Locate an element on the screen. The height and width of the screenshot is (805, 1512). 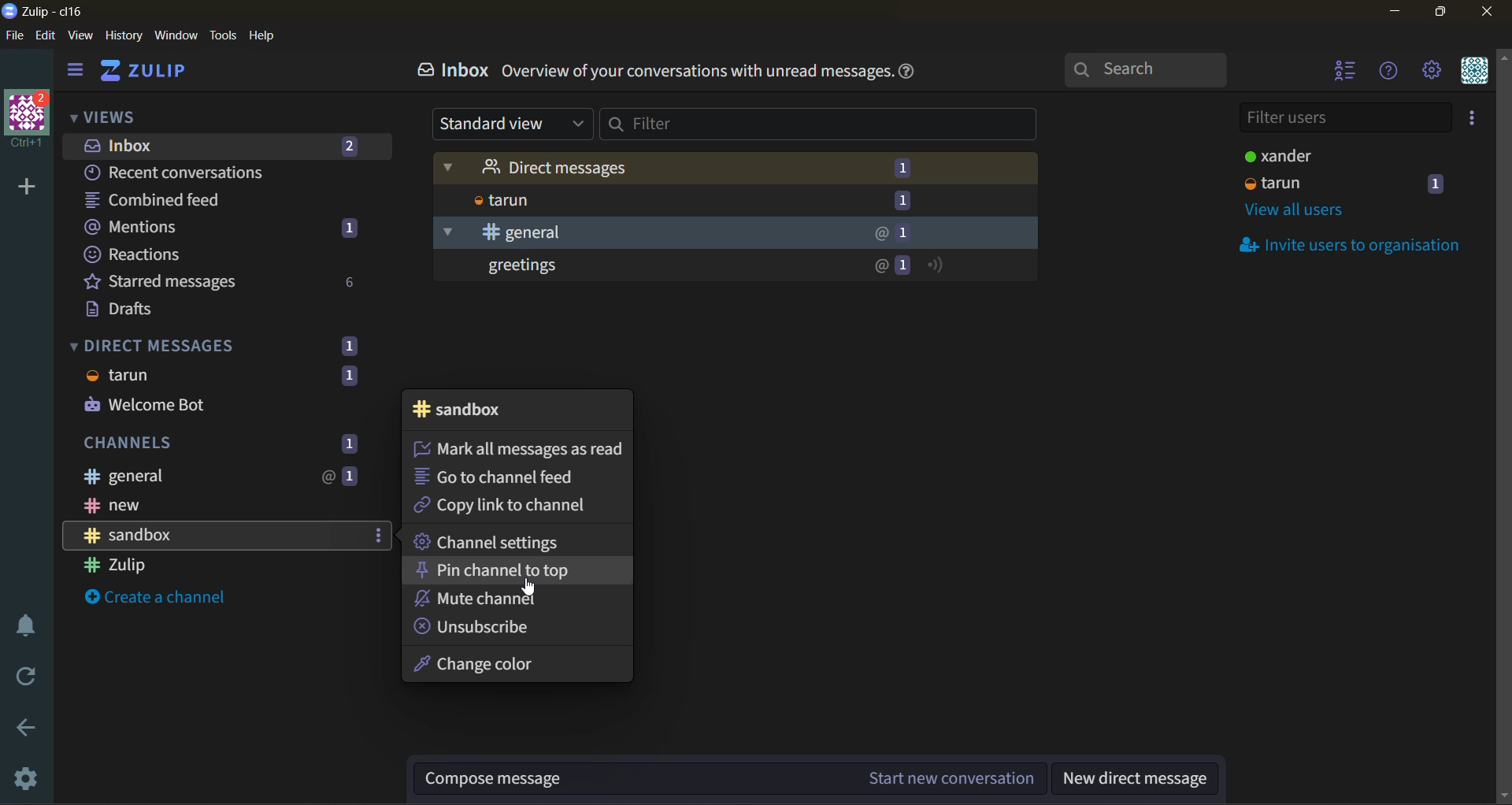
filter users is located at coordinates (1343, 119).